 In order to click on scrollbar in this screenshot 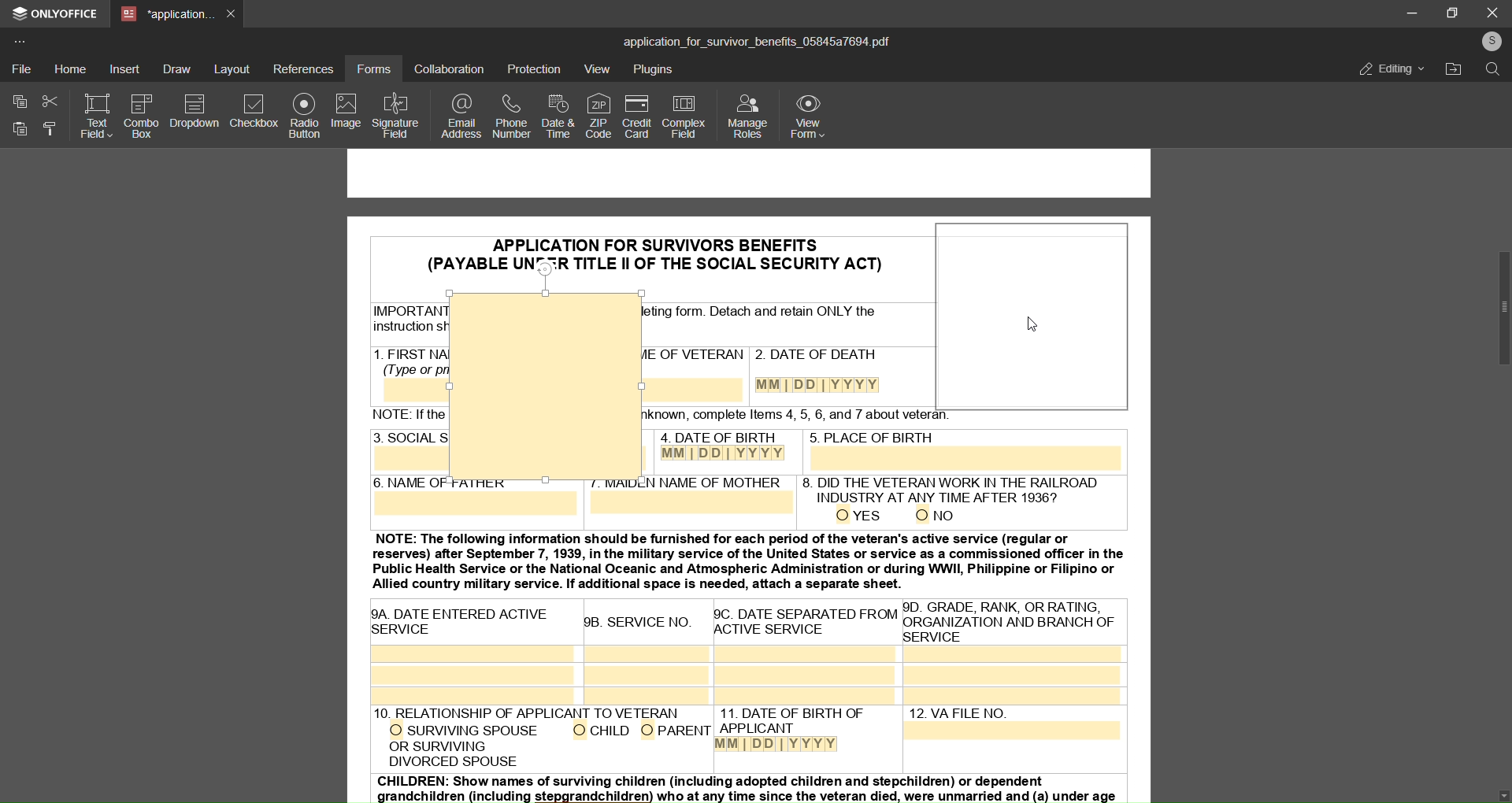, I will do `click(1495, 308)`.